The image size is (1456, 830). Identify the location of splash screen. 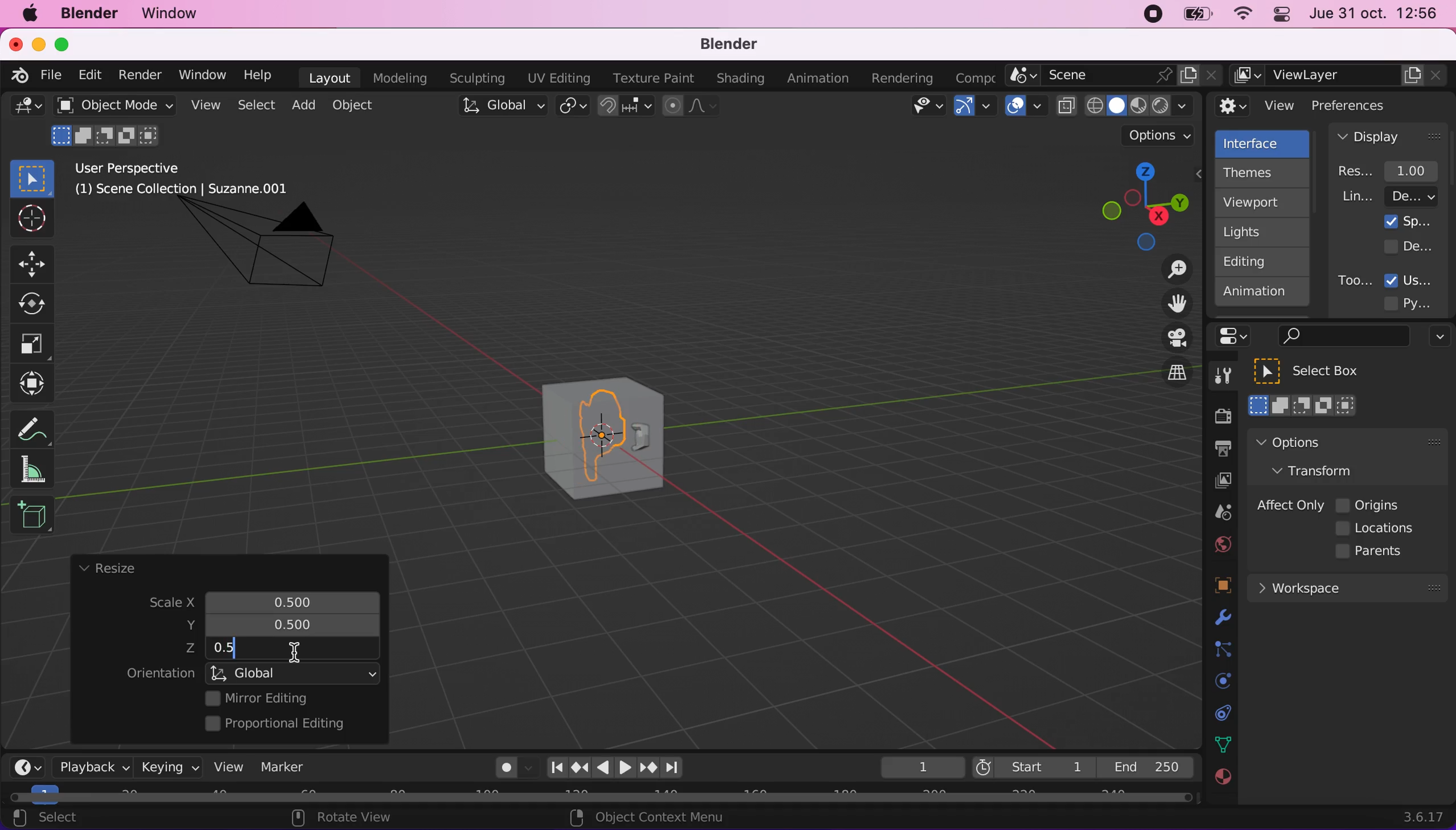
(1408, 221).